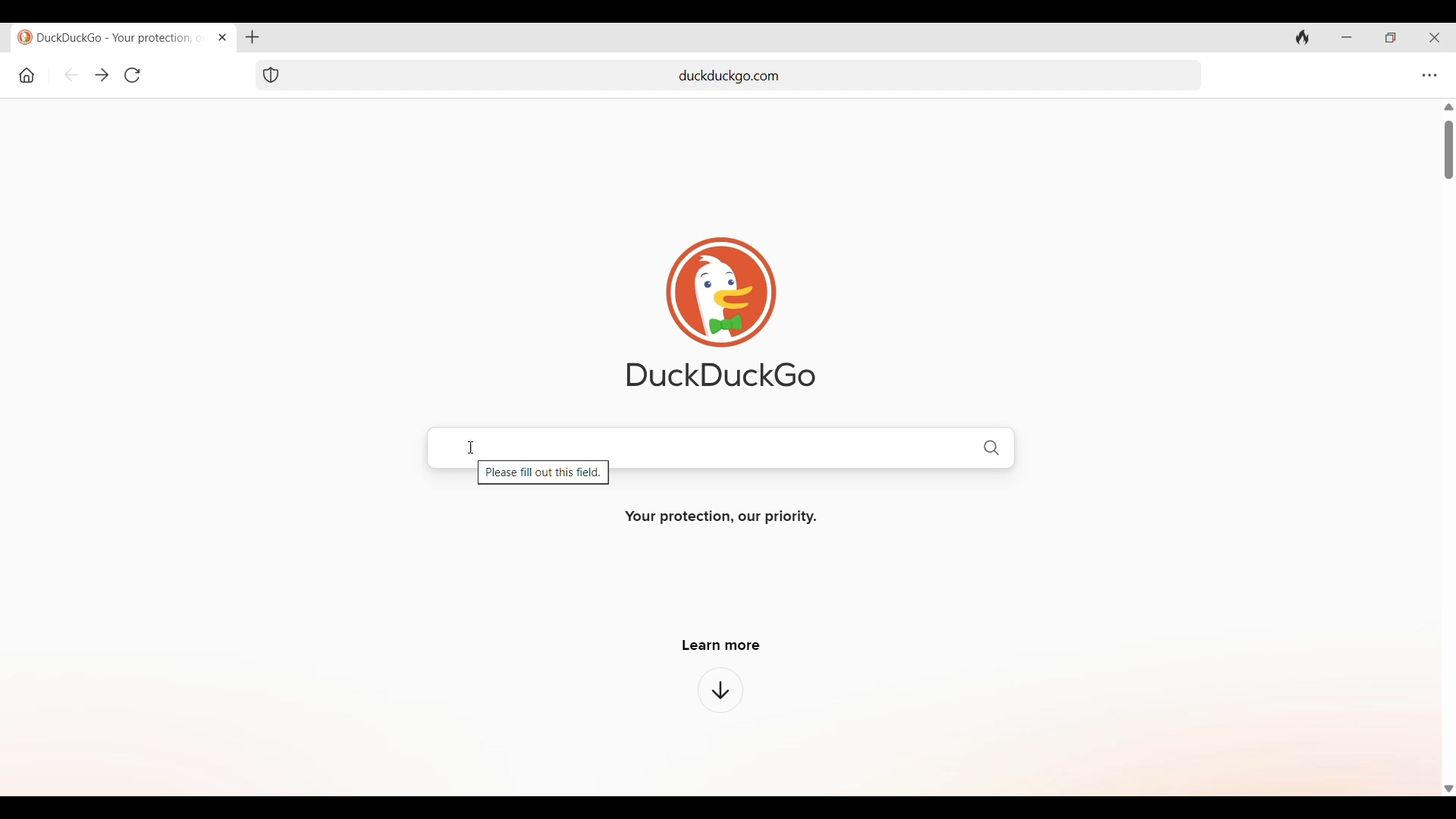 This screenshot has width=1456, height=819. What do you see at coordinates (544, 475) in the screenshot?
I see `Please fill out this field` at bounding box center [544, 475].